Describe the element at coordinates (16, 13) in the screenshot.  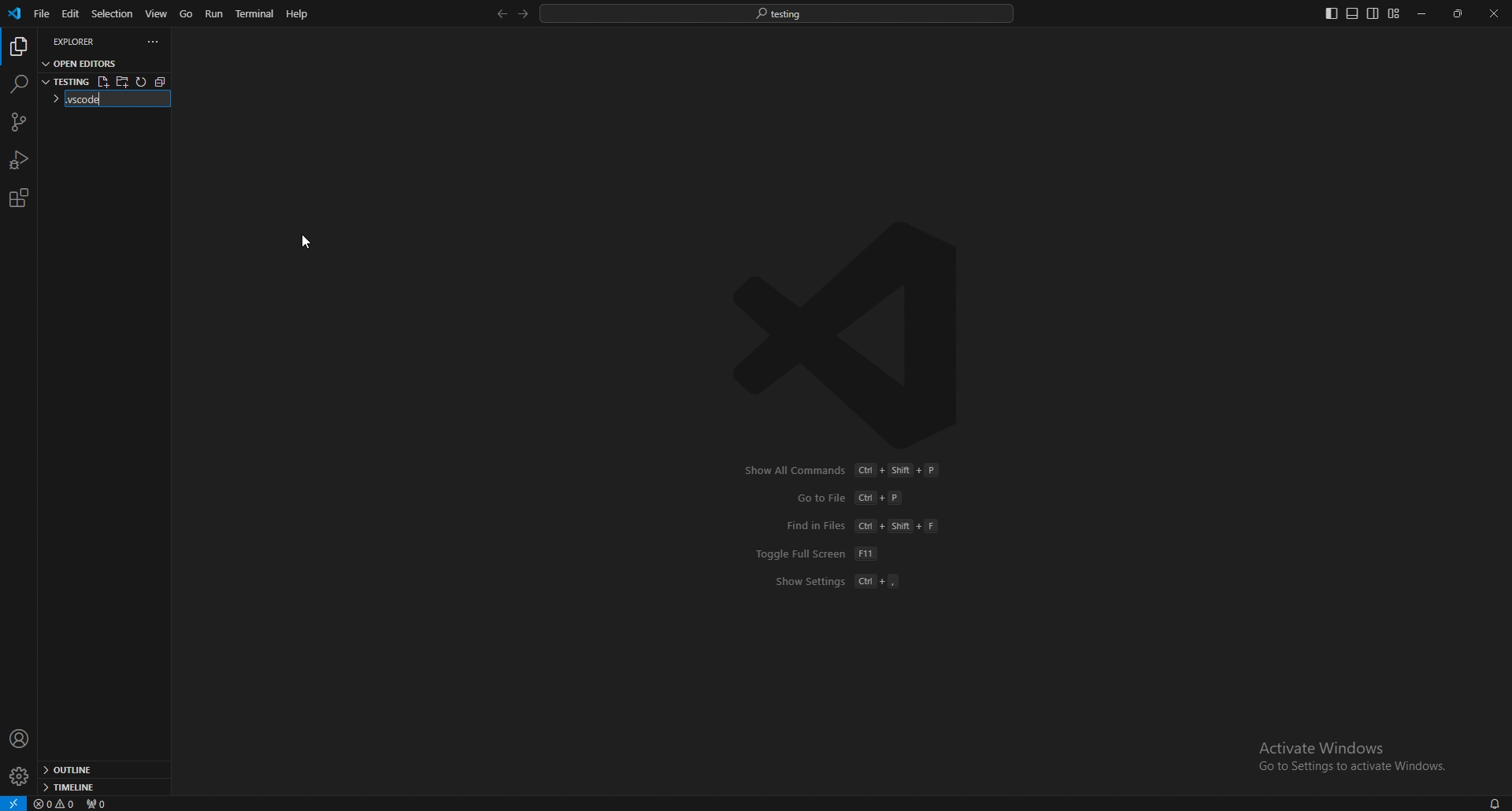
I see `vscode` at that location.